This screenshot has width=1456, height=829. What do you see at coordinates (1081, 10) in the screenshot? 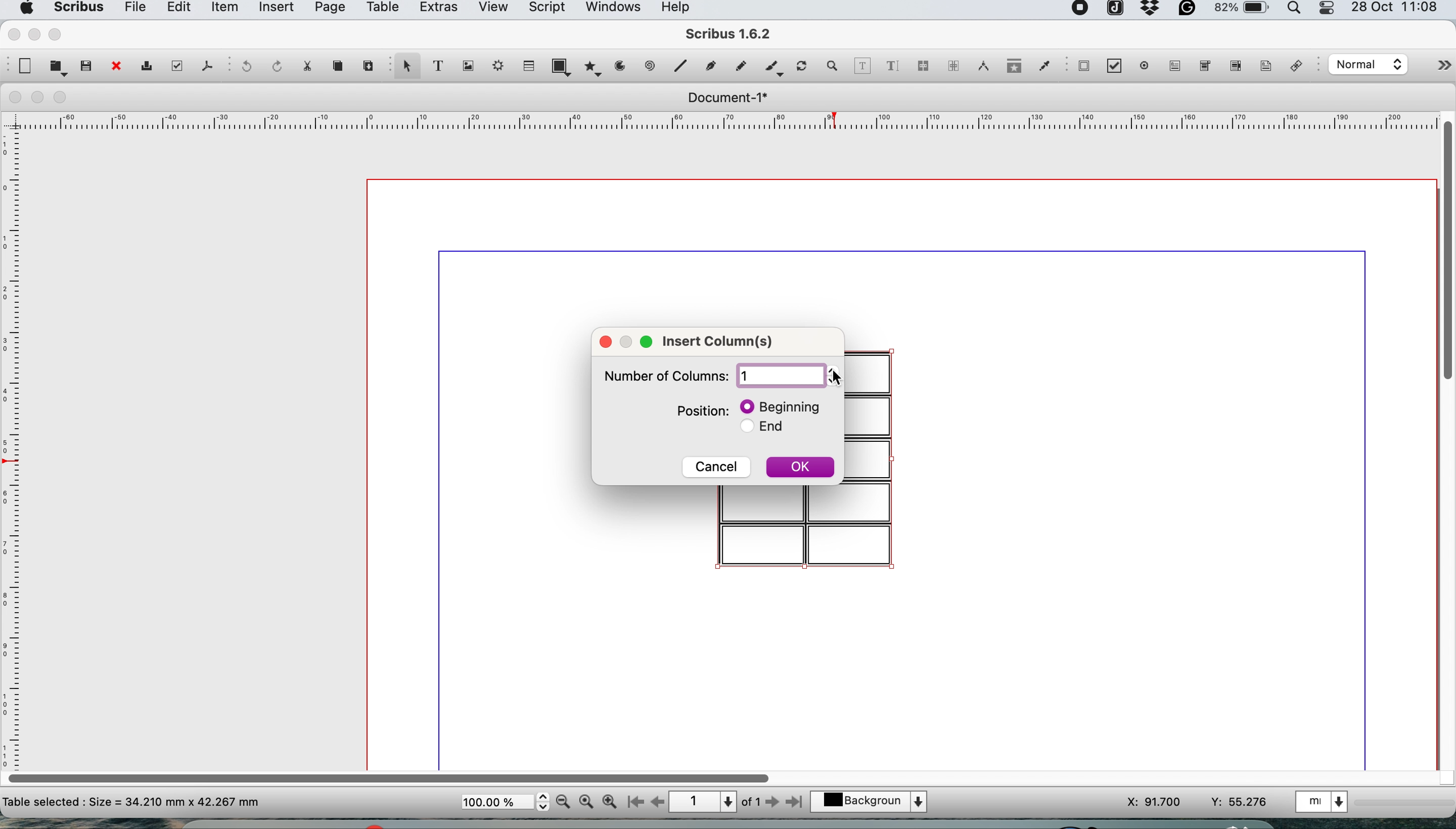
I see `screen recorder` at bounding box center [1081, 10].